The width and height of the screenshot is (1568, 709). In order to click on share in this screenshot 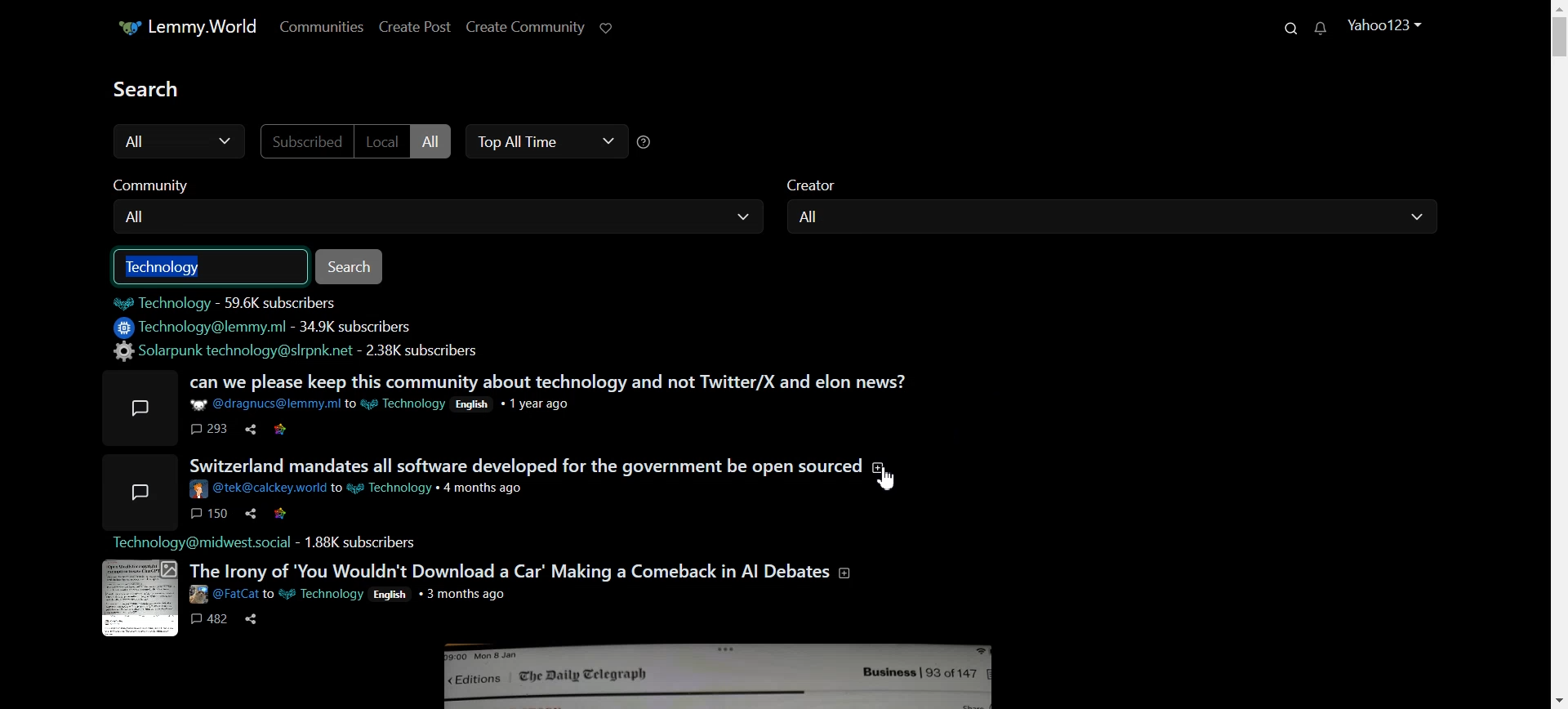, I will do `click(251, 619)`.